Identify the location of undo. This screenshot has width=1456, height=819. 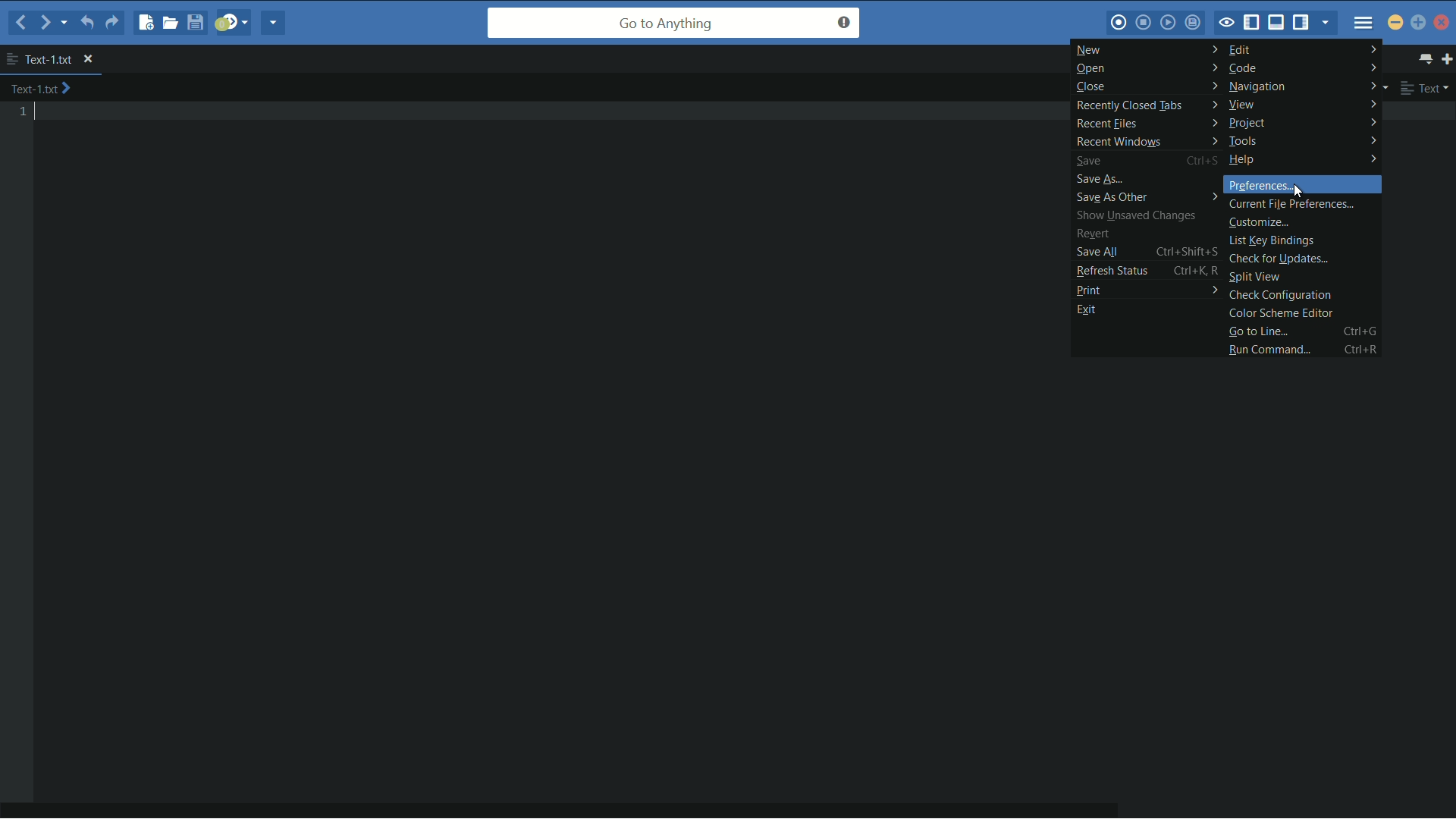
(85, 24).